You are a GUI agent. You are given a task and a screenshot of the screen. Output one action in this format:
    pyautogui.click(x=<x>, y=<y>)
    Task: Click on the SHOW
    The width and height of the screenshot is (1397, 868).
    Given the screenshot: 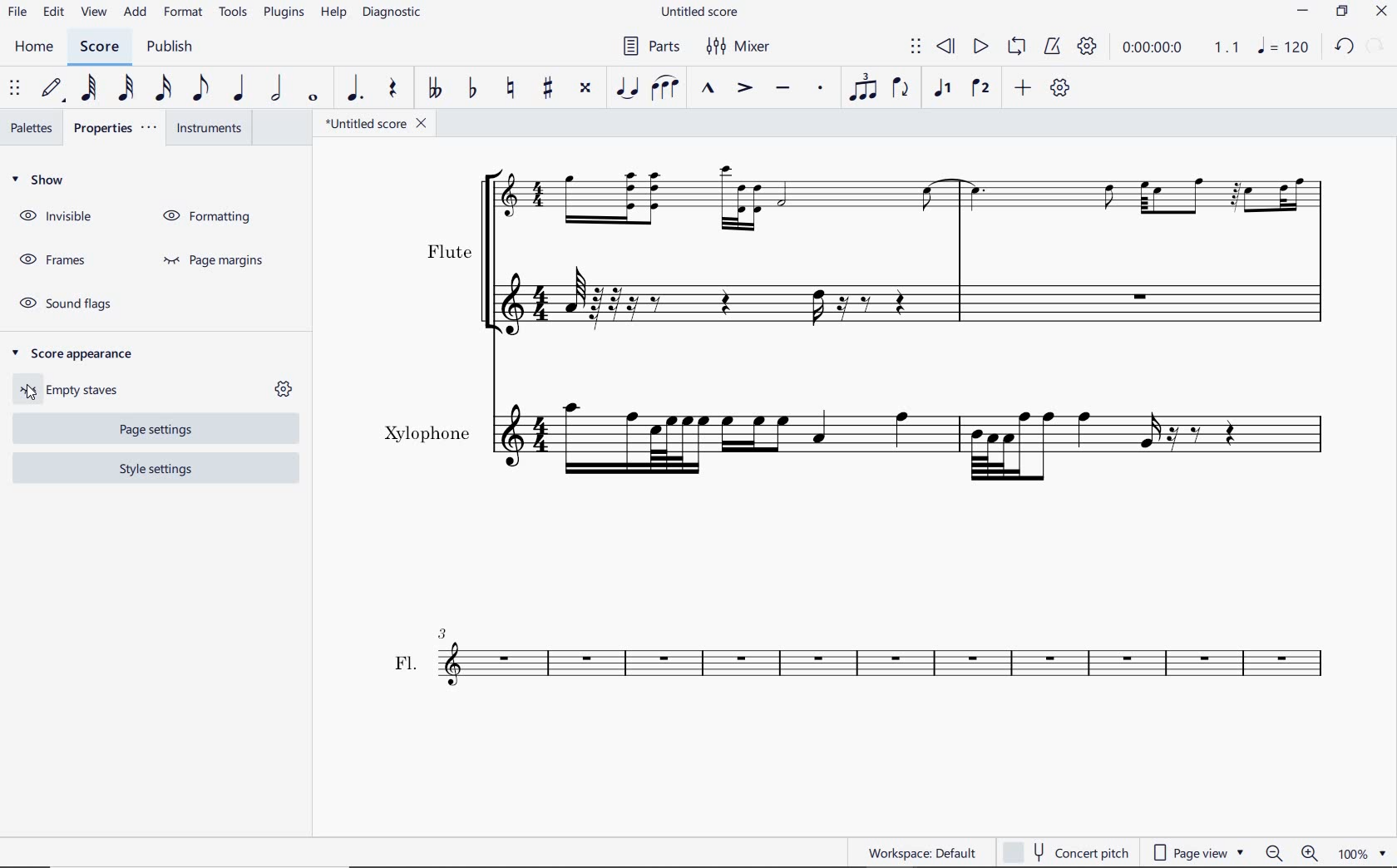 What is the action you would take?
    pyautogui.click(x=39, y=181)
    